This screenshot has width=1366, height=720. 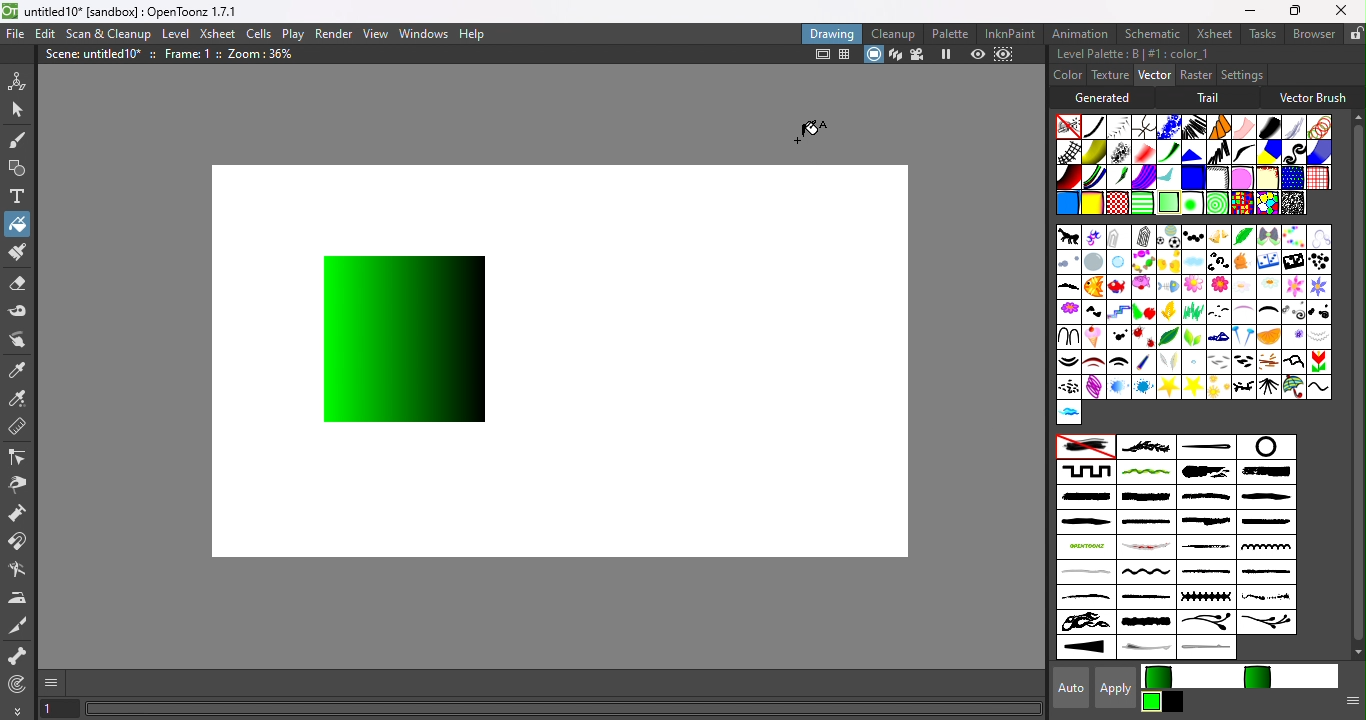 What do you see at coordinates (1173, 362) in the screenshot?
I see `plum` at bounding box center [1173, 362].